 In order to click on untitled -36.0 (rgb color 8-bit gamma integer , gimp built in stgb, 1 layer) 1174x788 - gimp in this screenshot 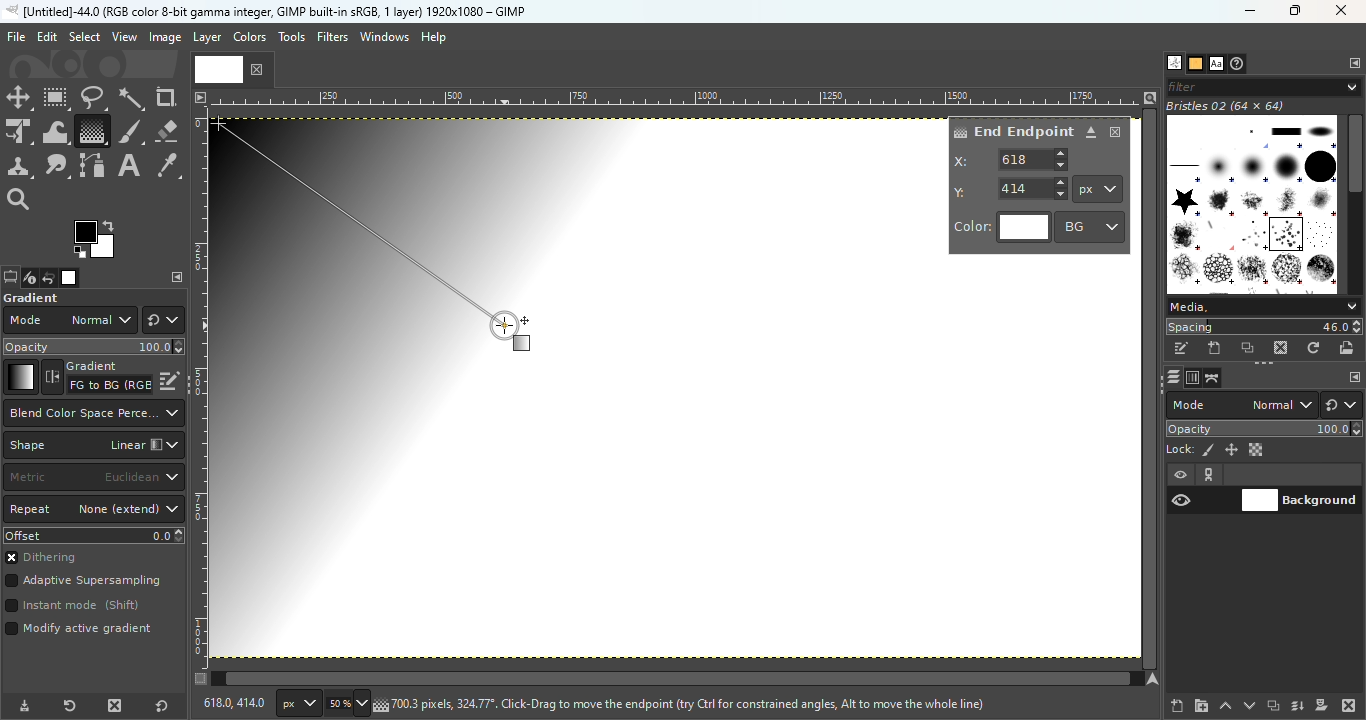, I will do `click(265, 11)`.